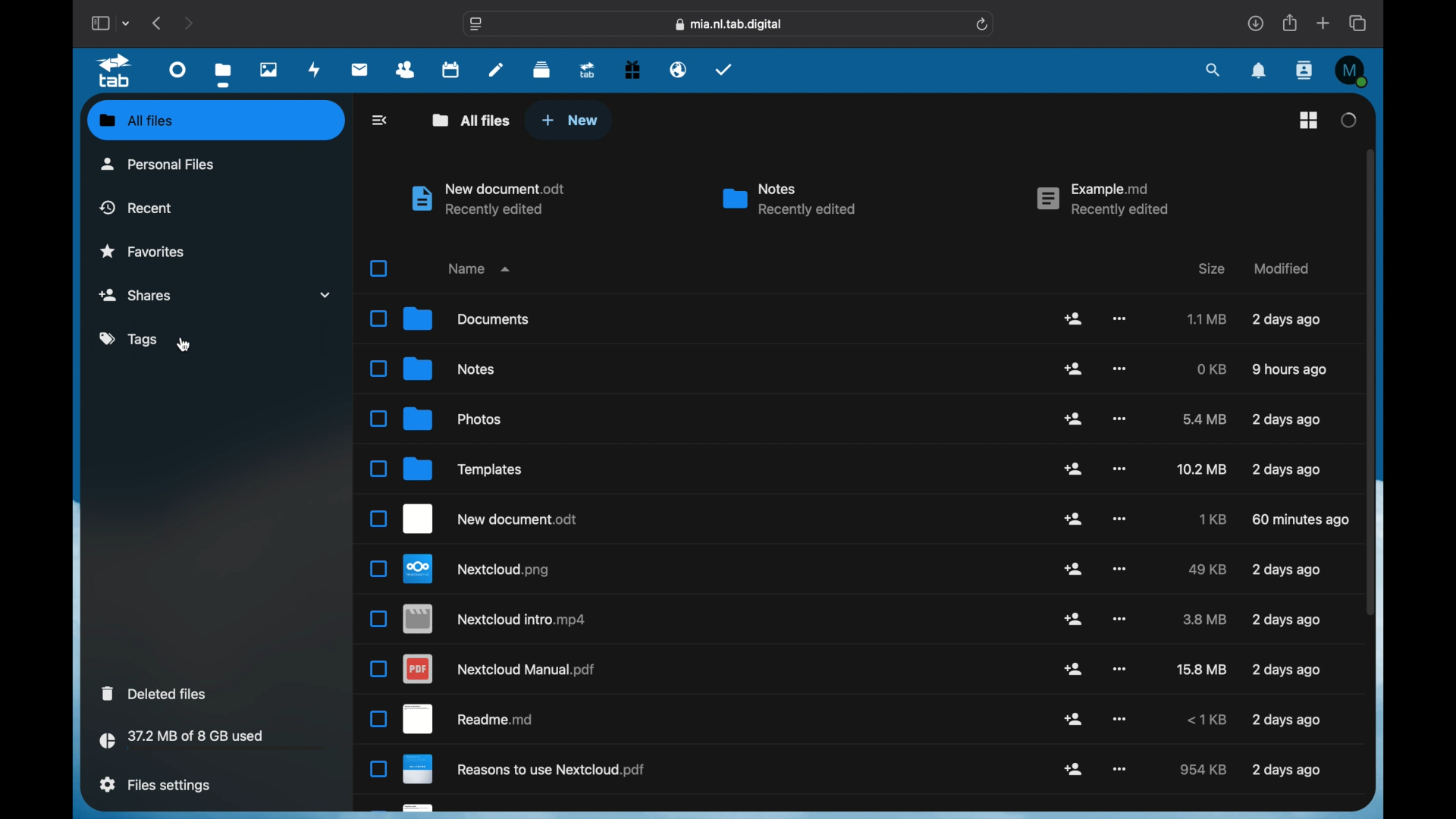 The width and height of the screenshot is (1456, 819). I want to click on previous, so click(158, 22).